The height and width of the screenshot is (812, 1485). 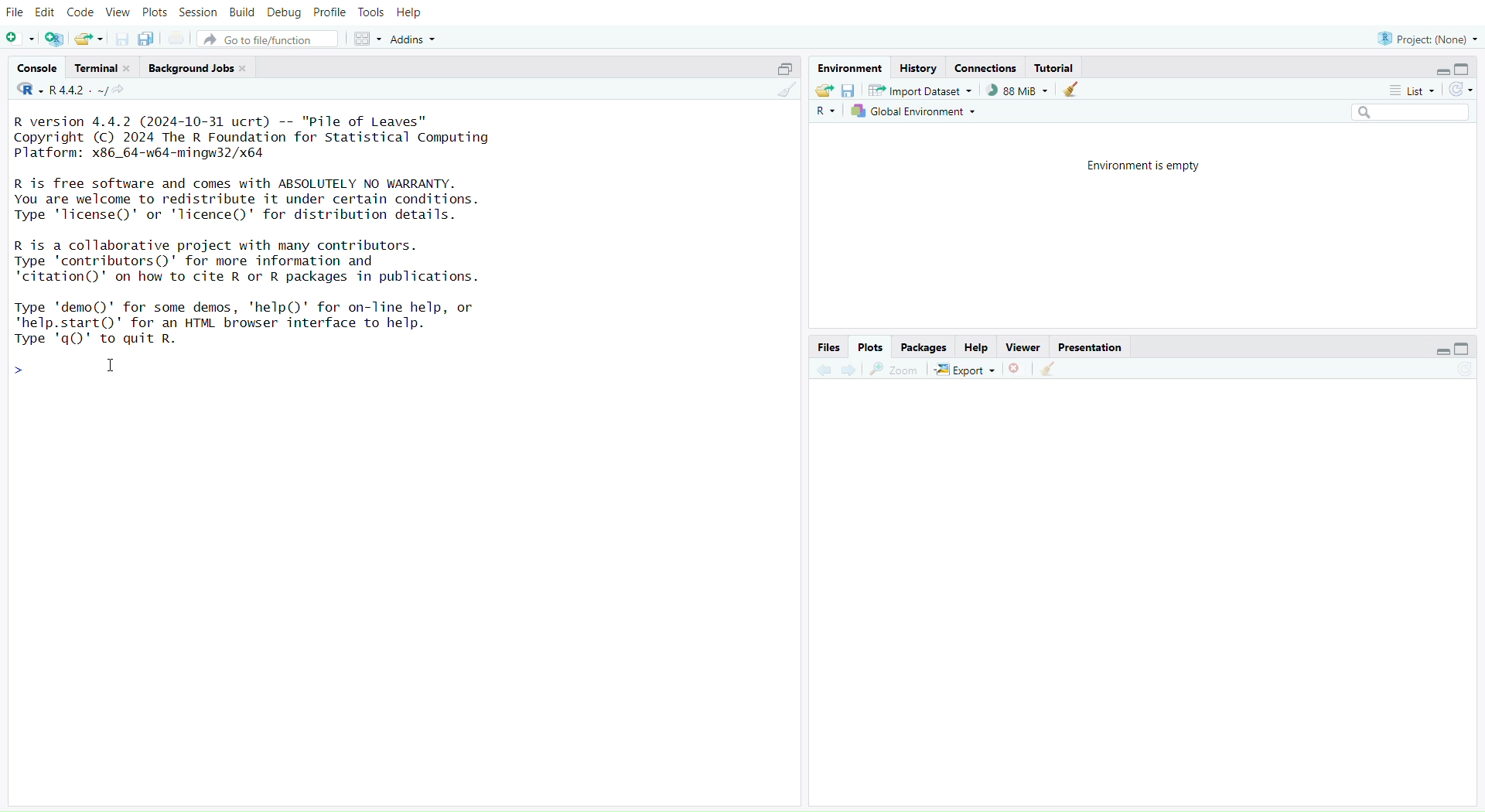 I want to click on profile, so click(x=330, y=12).